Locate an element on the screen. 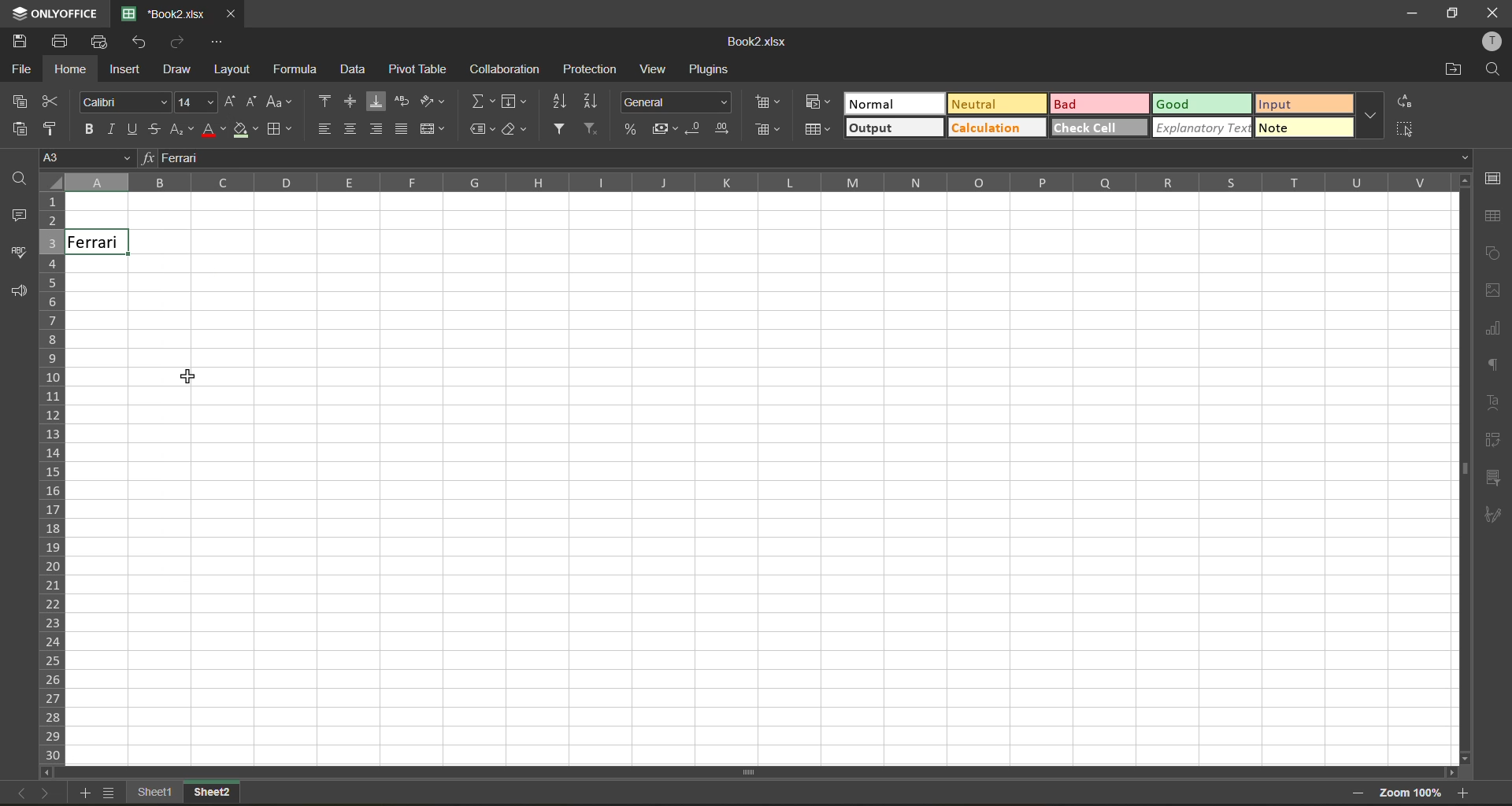  cell settings is located at coordinates (1492, 179).